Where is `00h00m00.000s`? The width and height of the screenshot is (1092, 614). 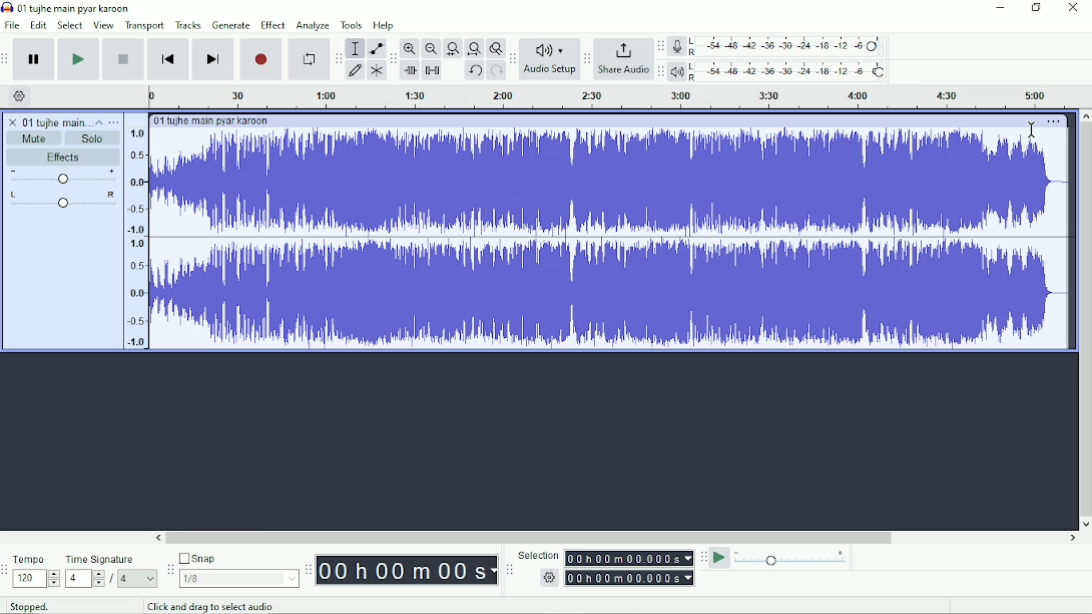
00h00m00.000s is located at coordinates (630, 559).